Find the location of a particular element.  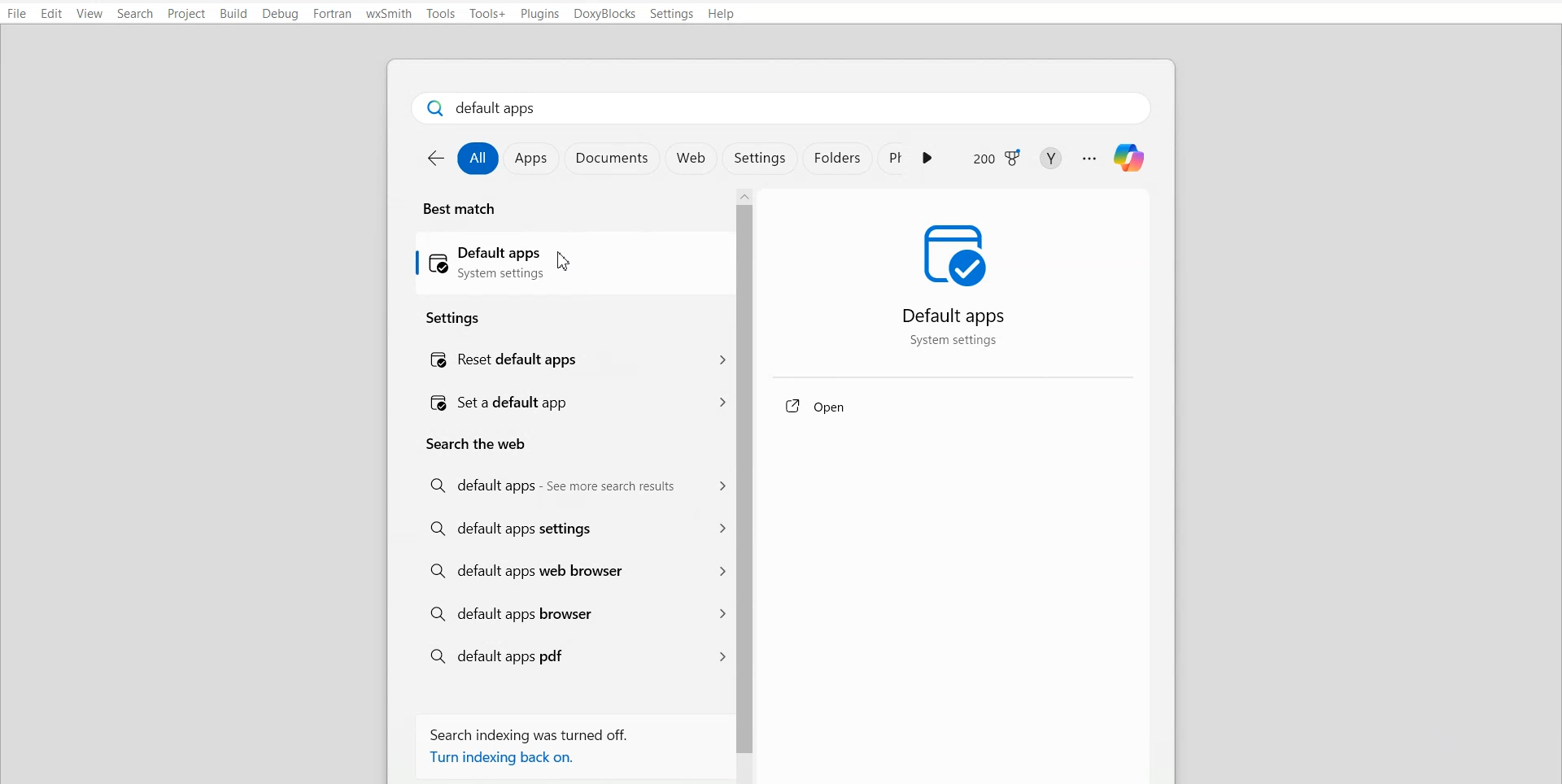

App is located at coordinates (909, 159).